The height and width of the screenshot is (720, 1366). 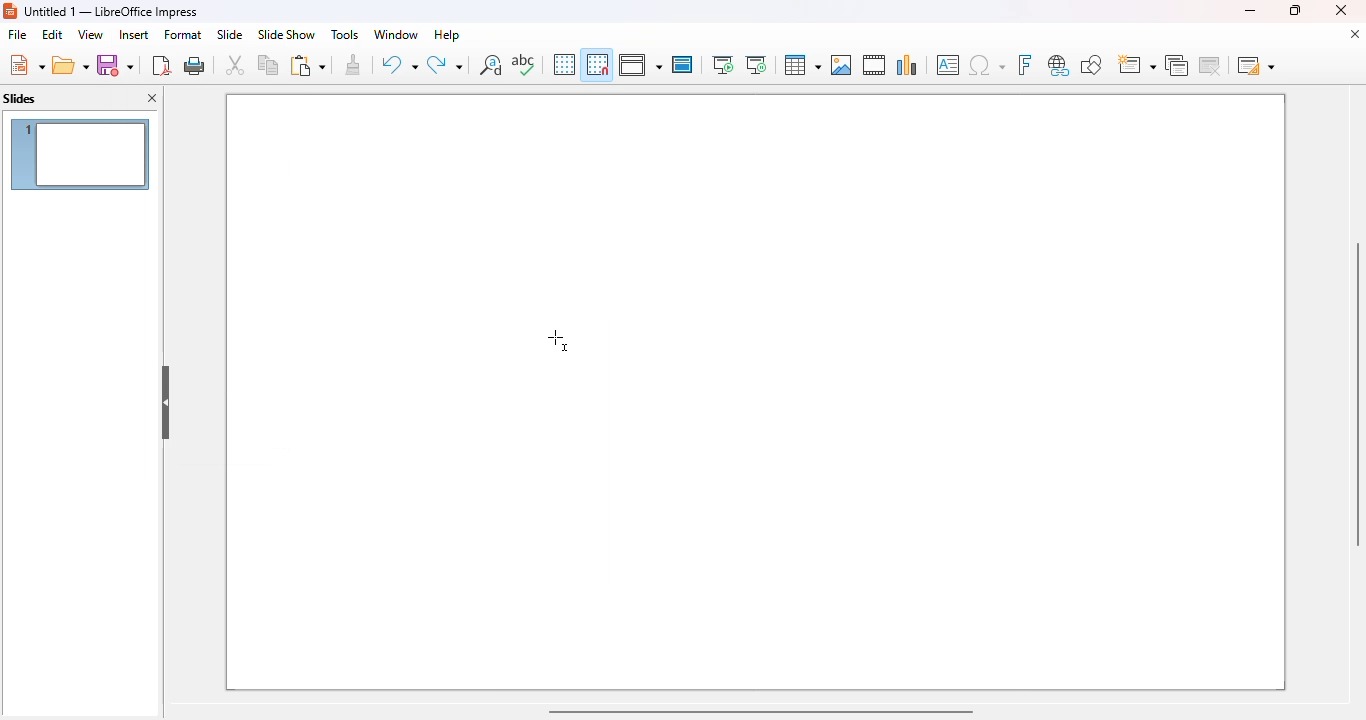 I want to click on vertical scroll bar, so click(x=1354, y=394).